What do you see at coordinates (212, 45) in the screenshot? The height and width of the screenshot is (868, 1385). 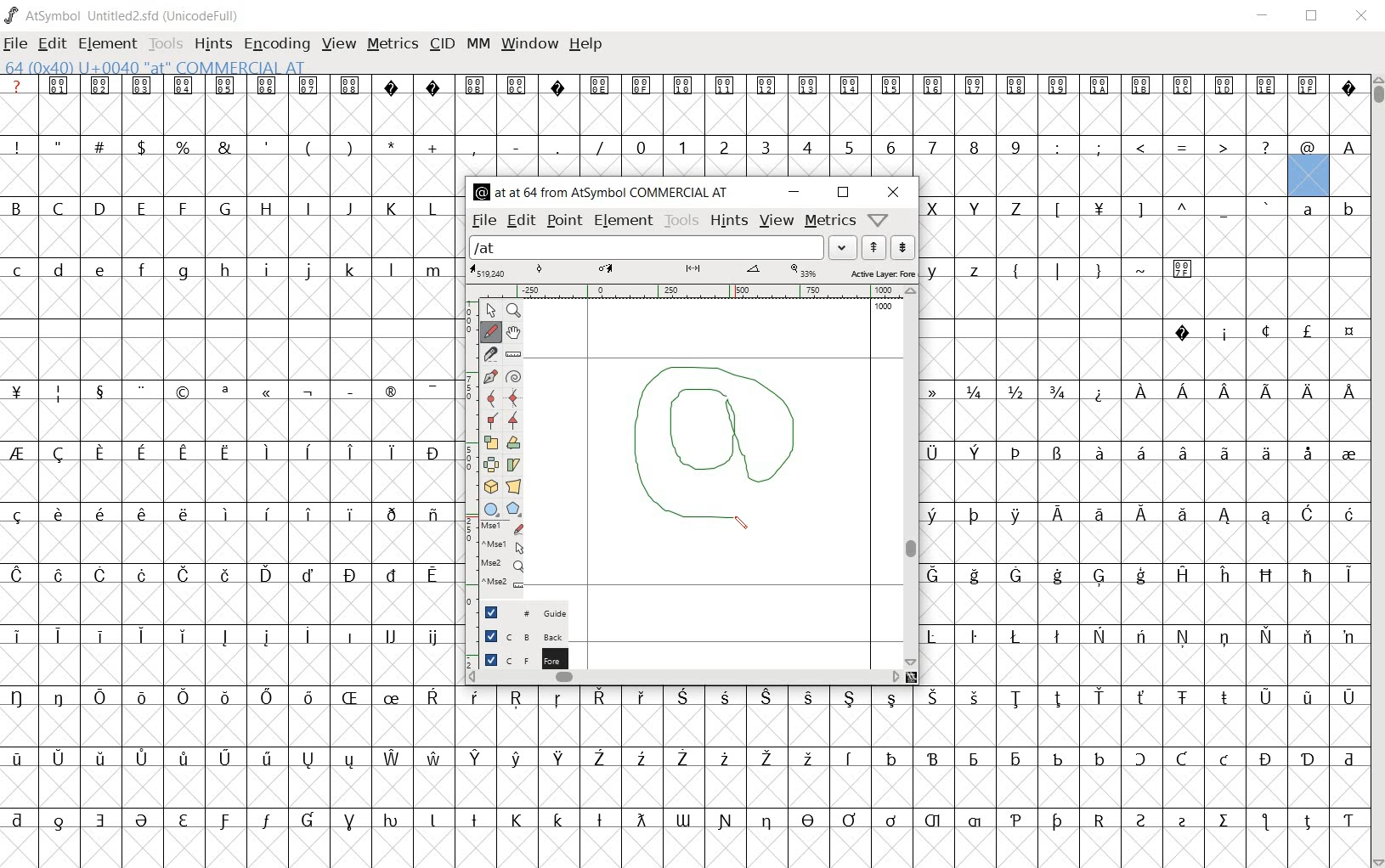 I see `HINTS` at bounding box center [212, 45].